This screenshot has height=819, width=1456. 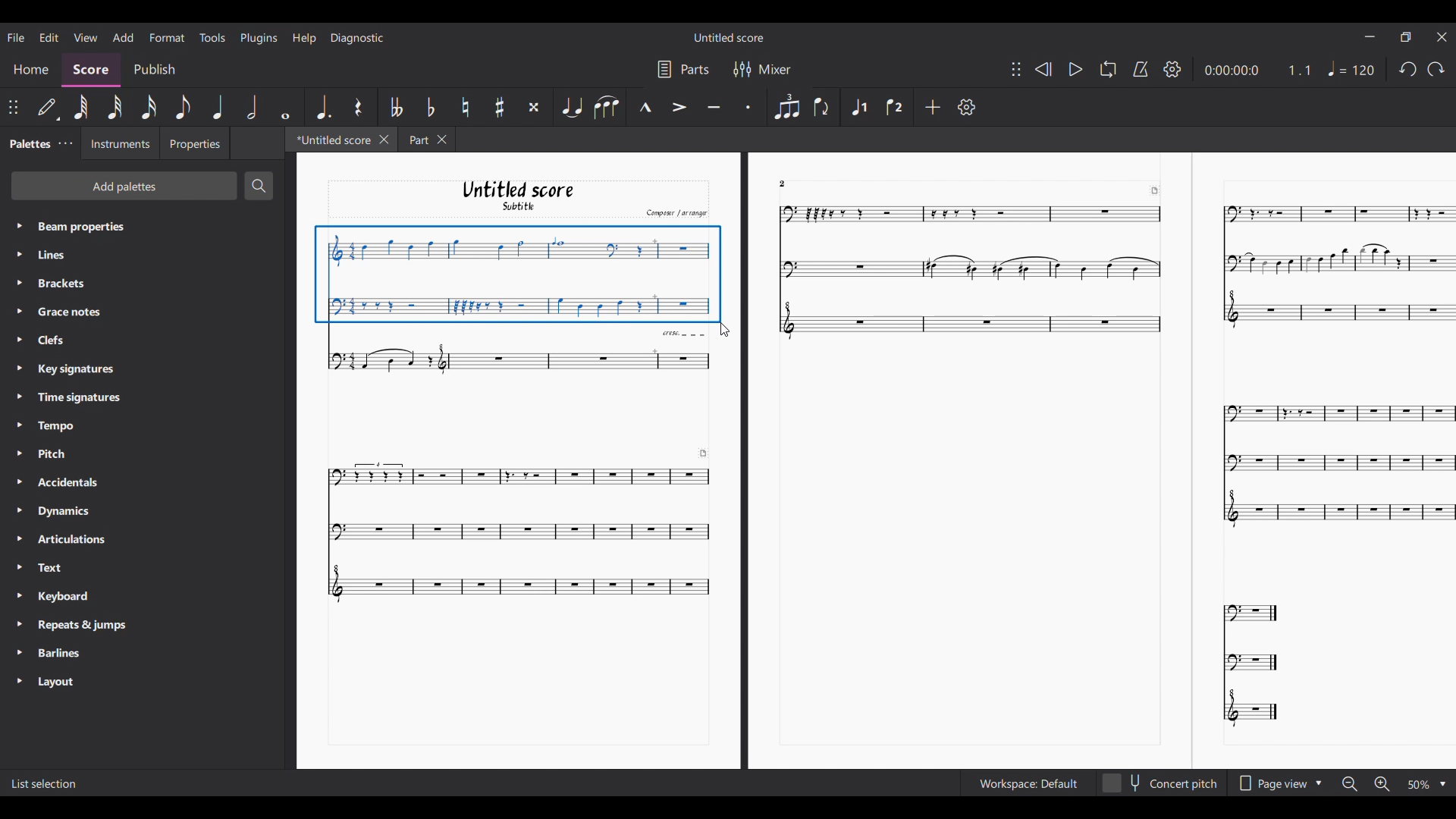 I want to click on Home , so click(x=31, y=71).